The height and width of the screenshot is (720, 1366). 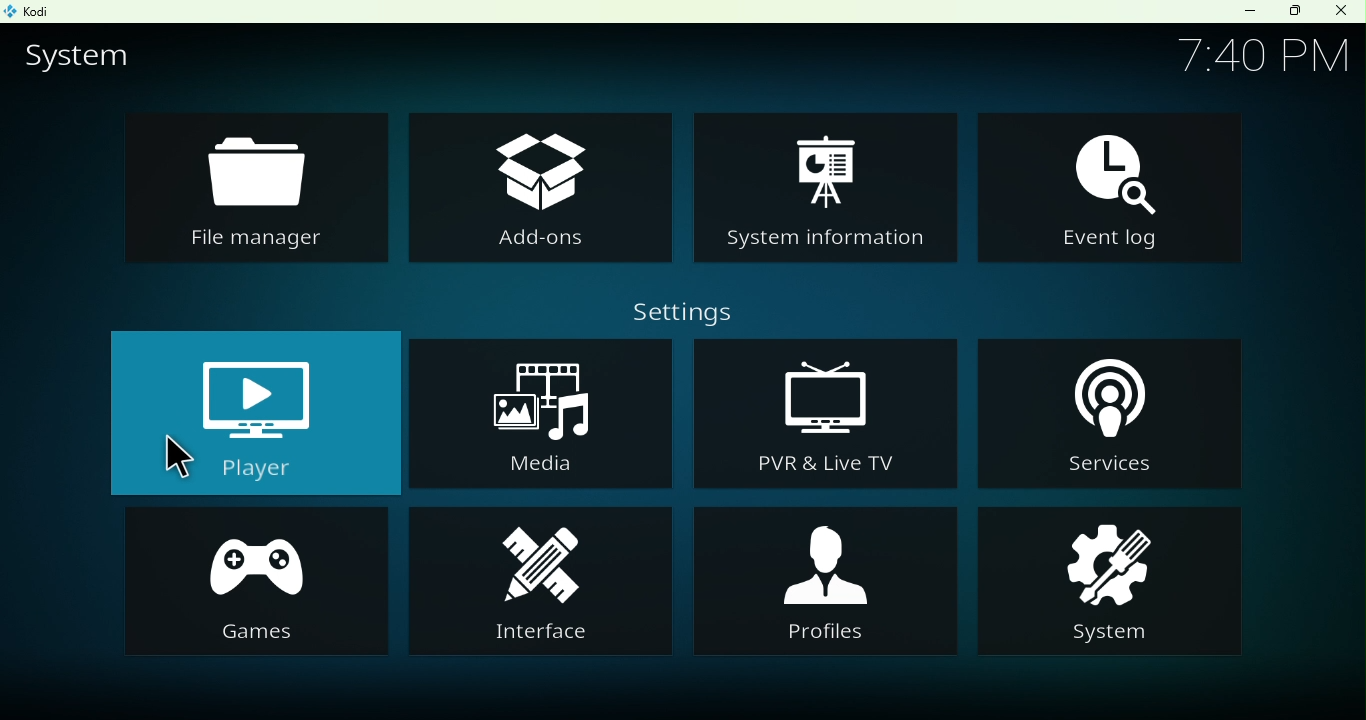 I want to click on Games, so click(x=254, y=584).